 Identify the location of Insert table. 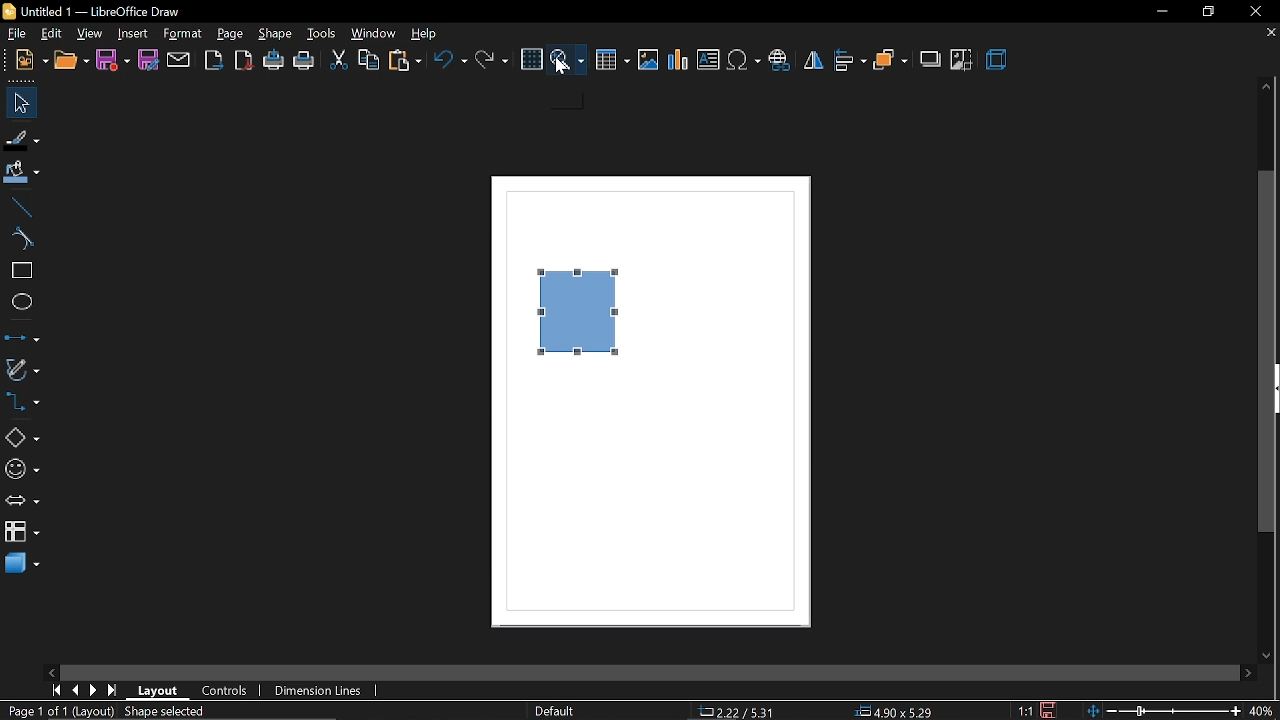
(610, 61).